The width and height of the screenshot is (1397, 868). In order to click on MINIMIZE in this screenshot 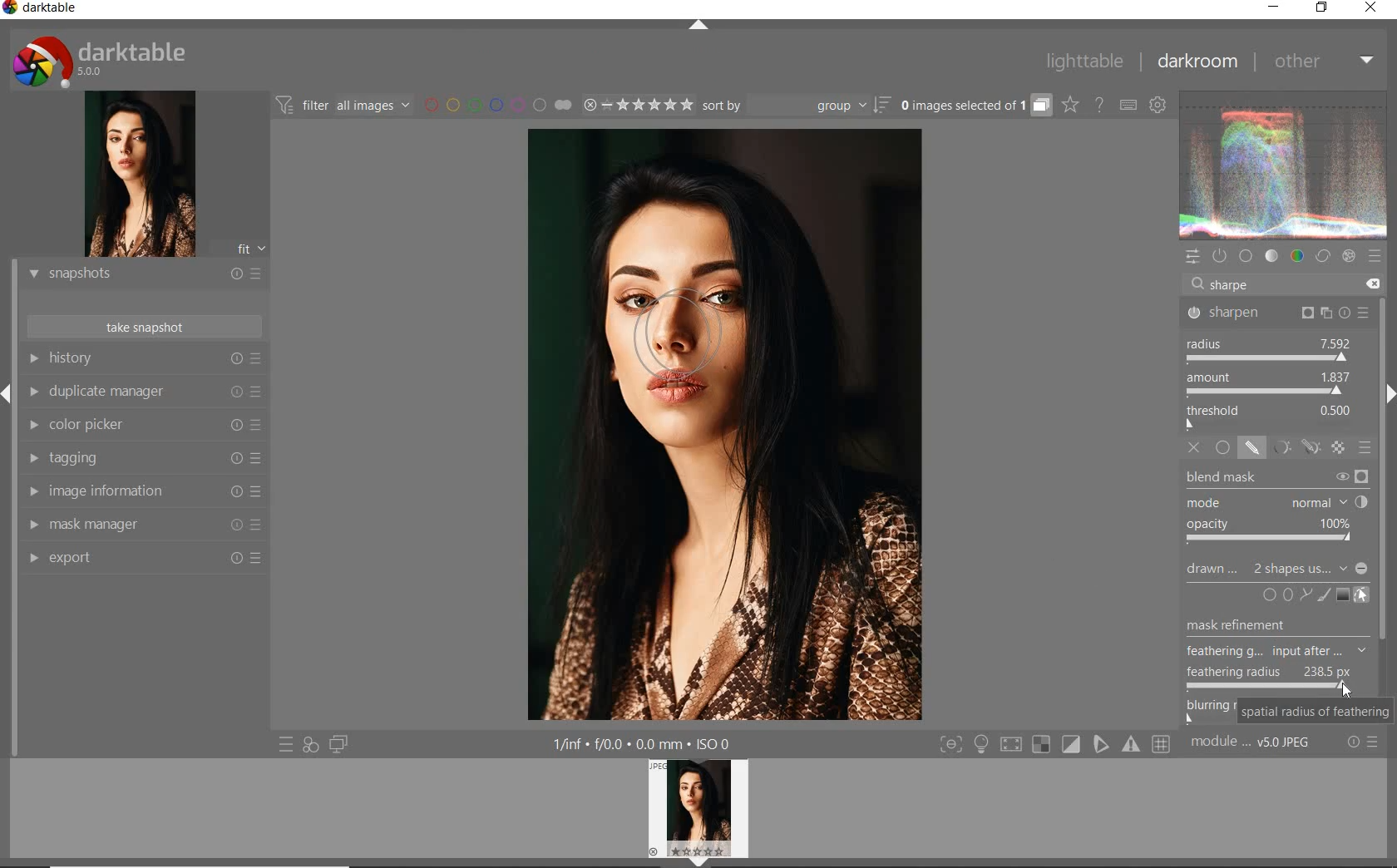, I will do `click(1274, 8)`.